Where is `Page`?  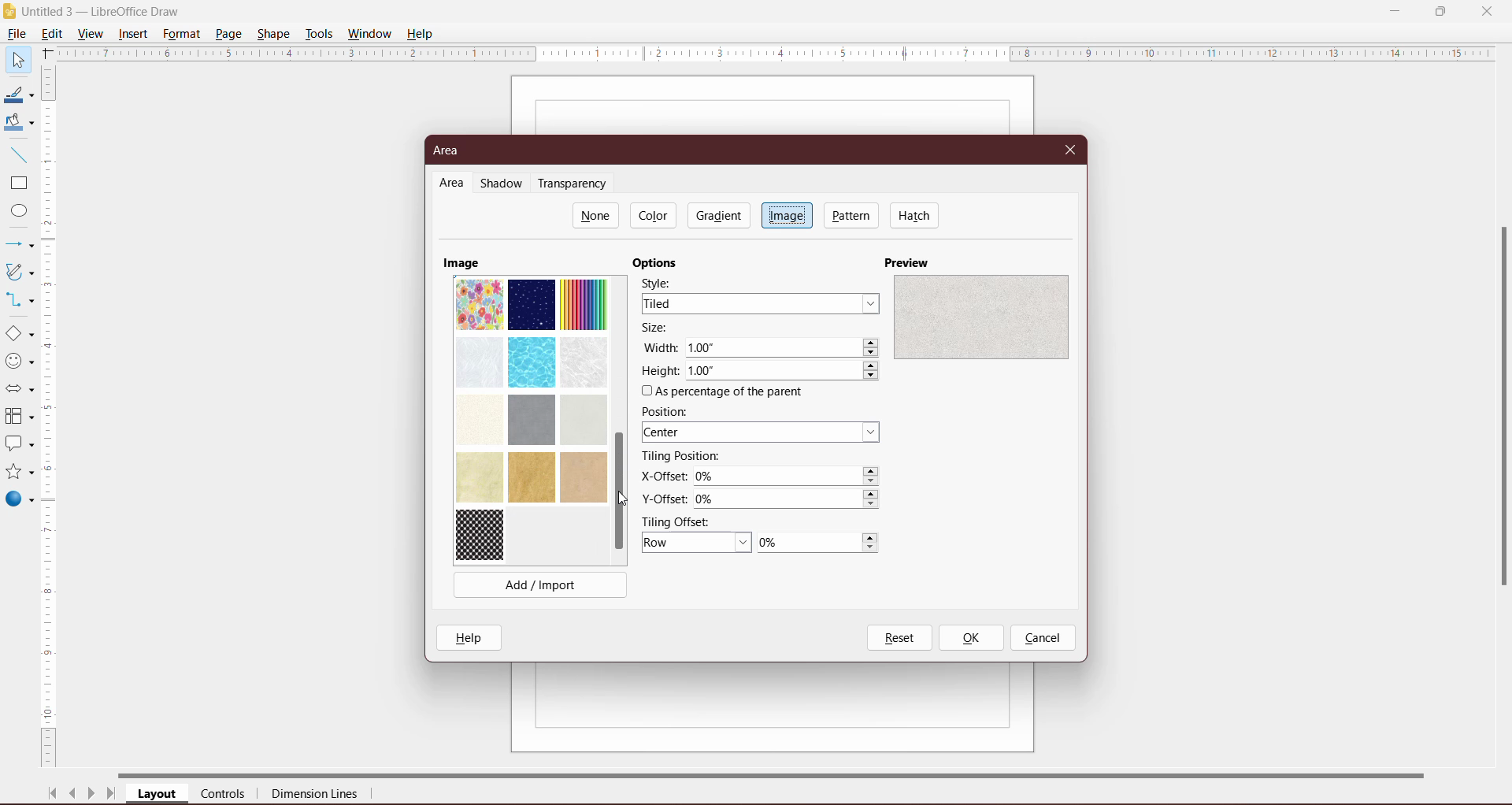 Page is located at coordinates (228, 33).